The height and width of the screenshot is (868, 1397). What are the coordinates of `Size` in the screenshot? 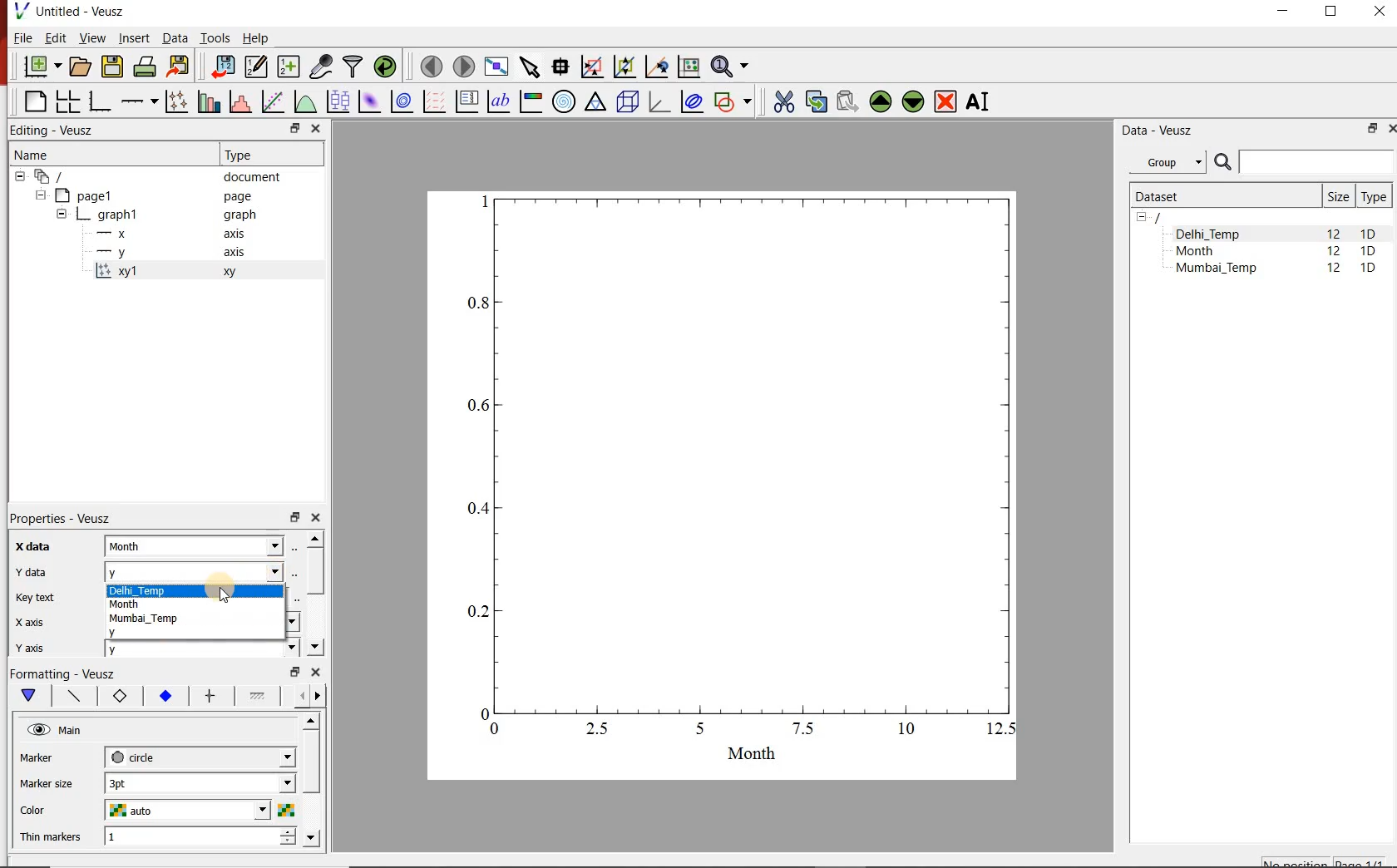 It's located at (1338, 196).